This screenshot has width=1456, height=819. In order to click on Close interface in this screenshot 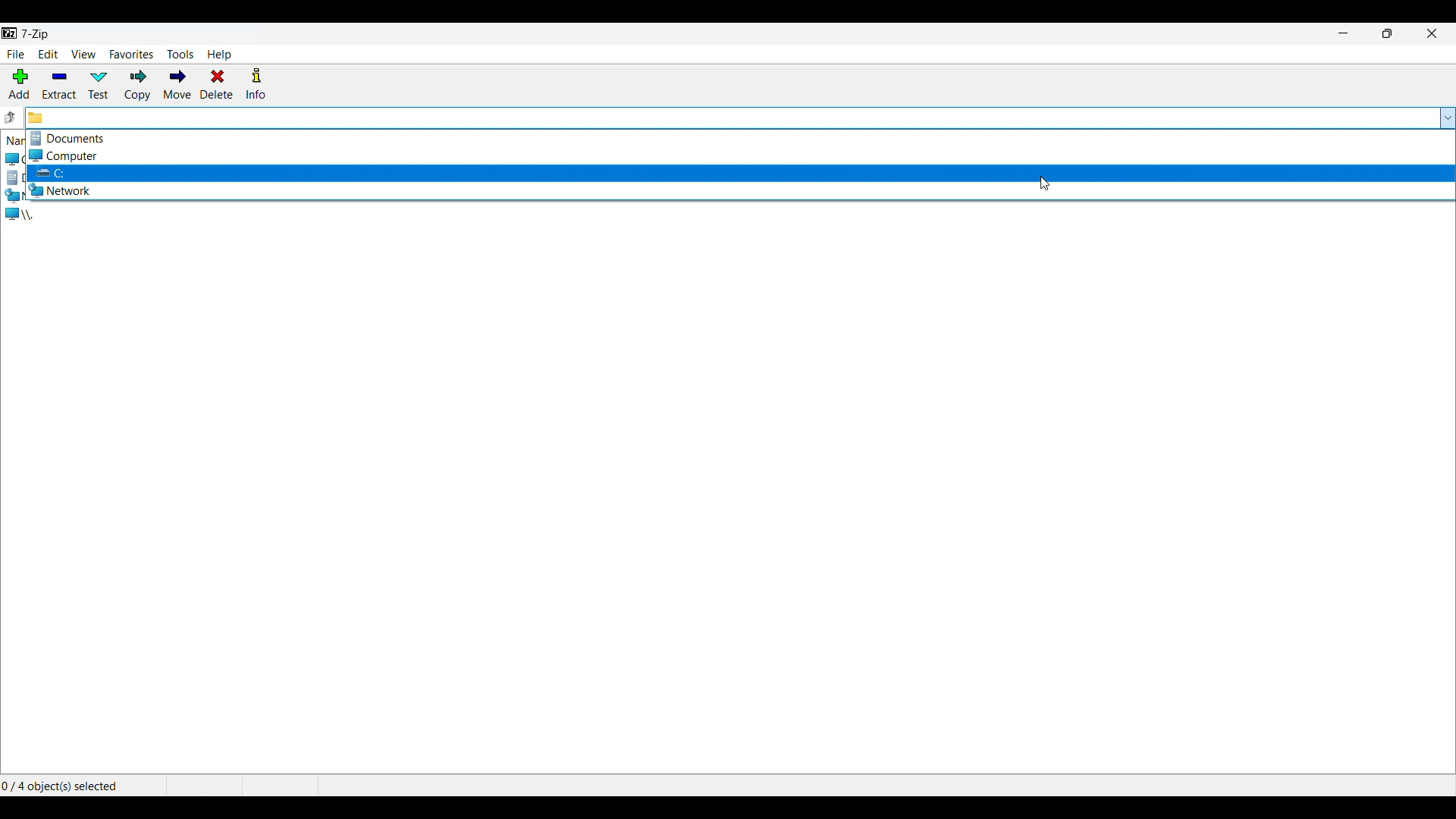, I will do `click(1432, 33)`.